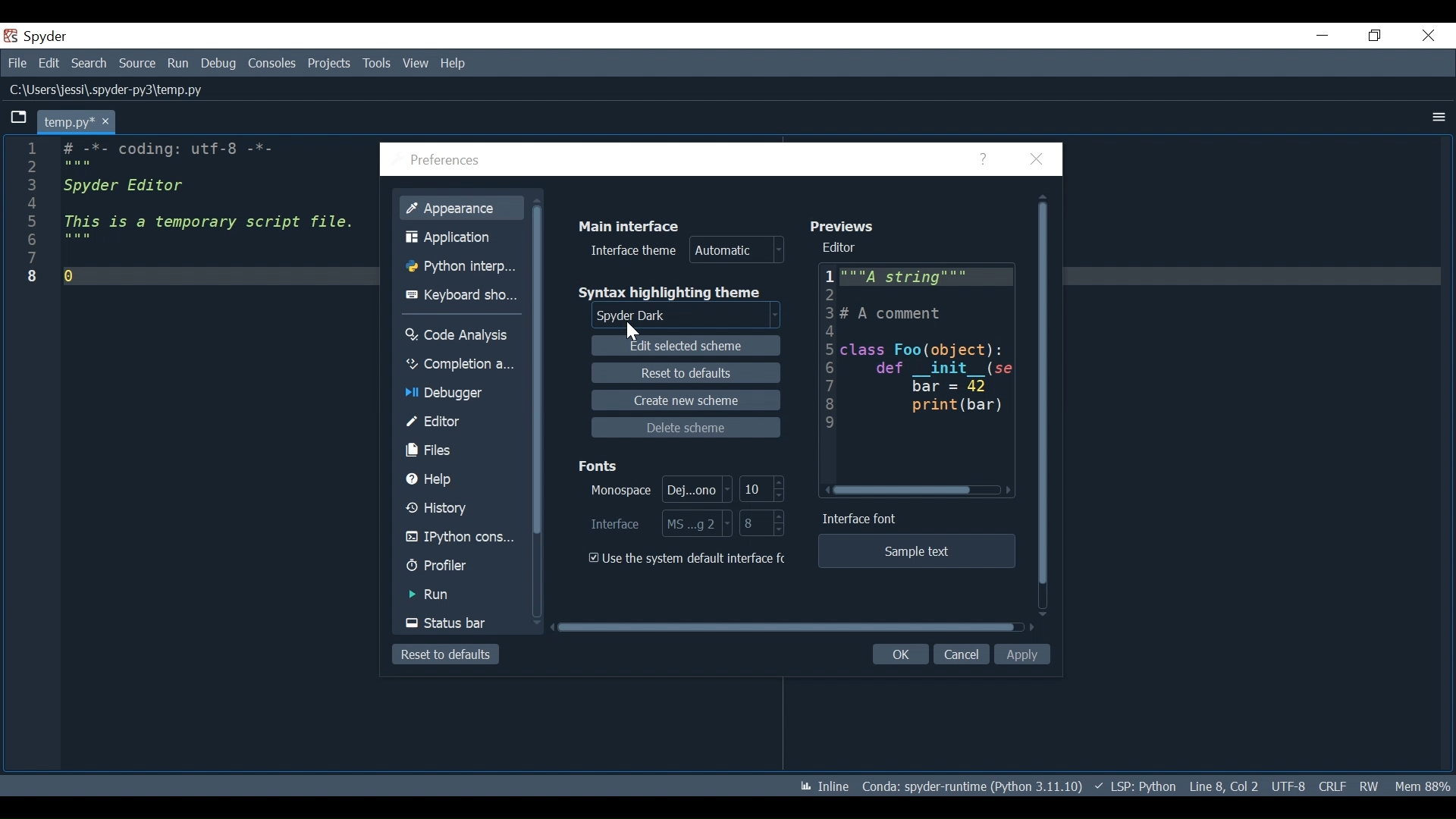 The width and height of the screenshot is (1456, 819). What do you see at coordinates (375, 64) in the screenshot?
I see `Tools` at bounding box center [375, 64].